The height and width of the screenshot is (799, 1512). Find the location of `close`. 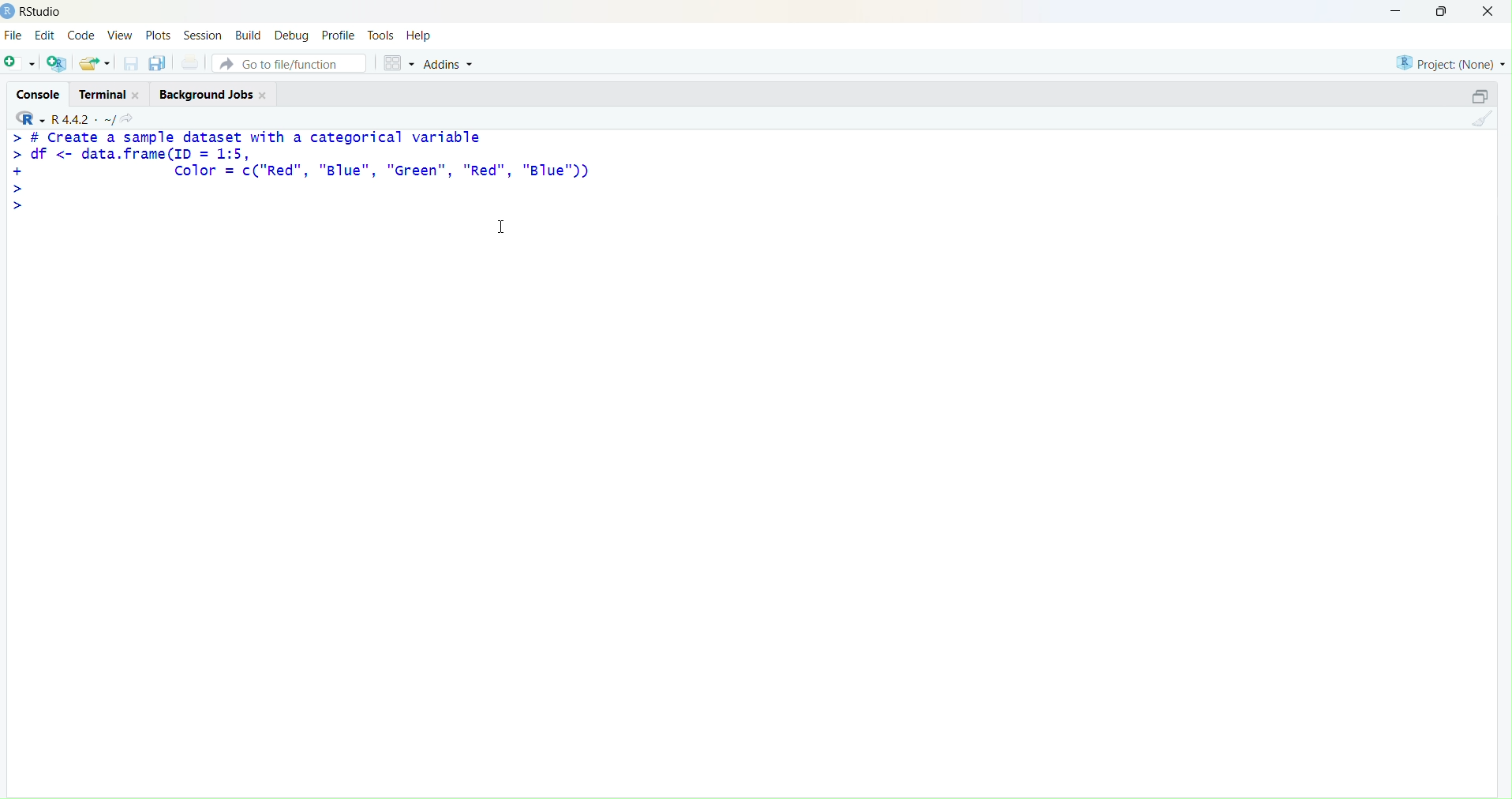

close is located at coordinates (1488, 10).